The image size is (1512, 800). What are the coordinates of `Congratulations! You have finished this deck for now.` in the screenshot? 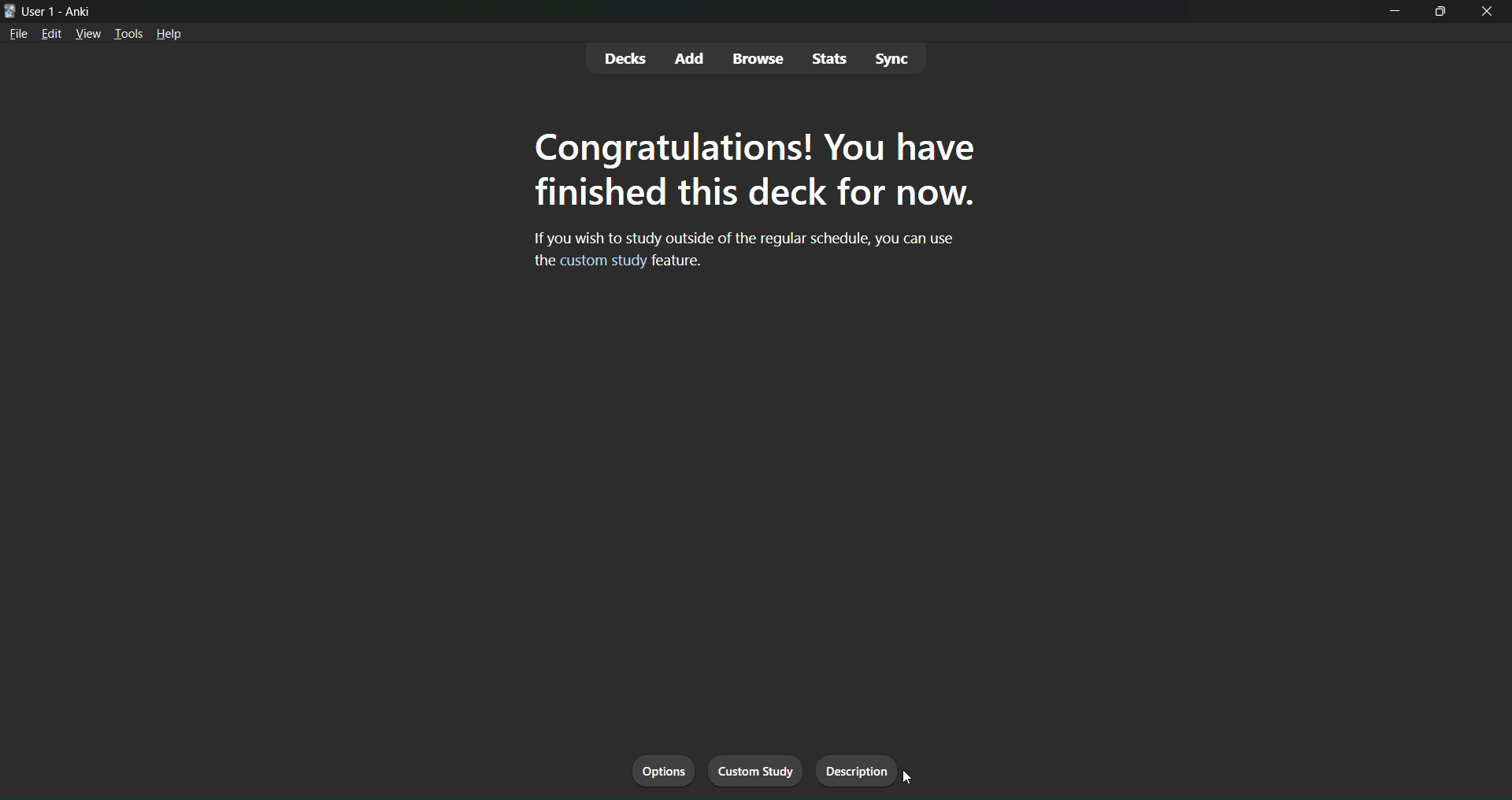 It's located at (756, 172).